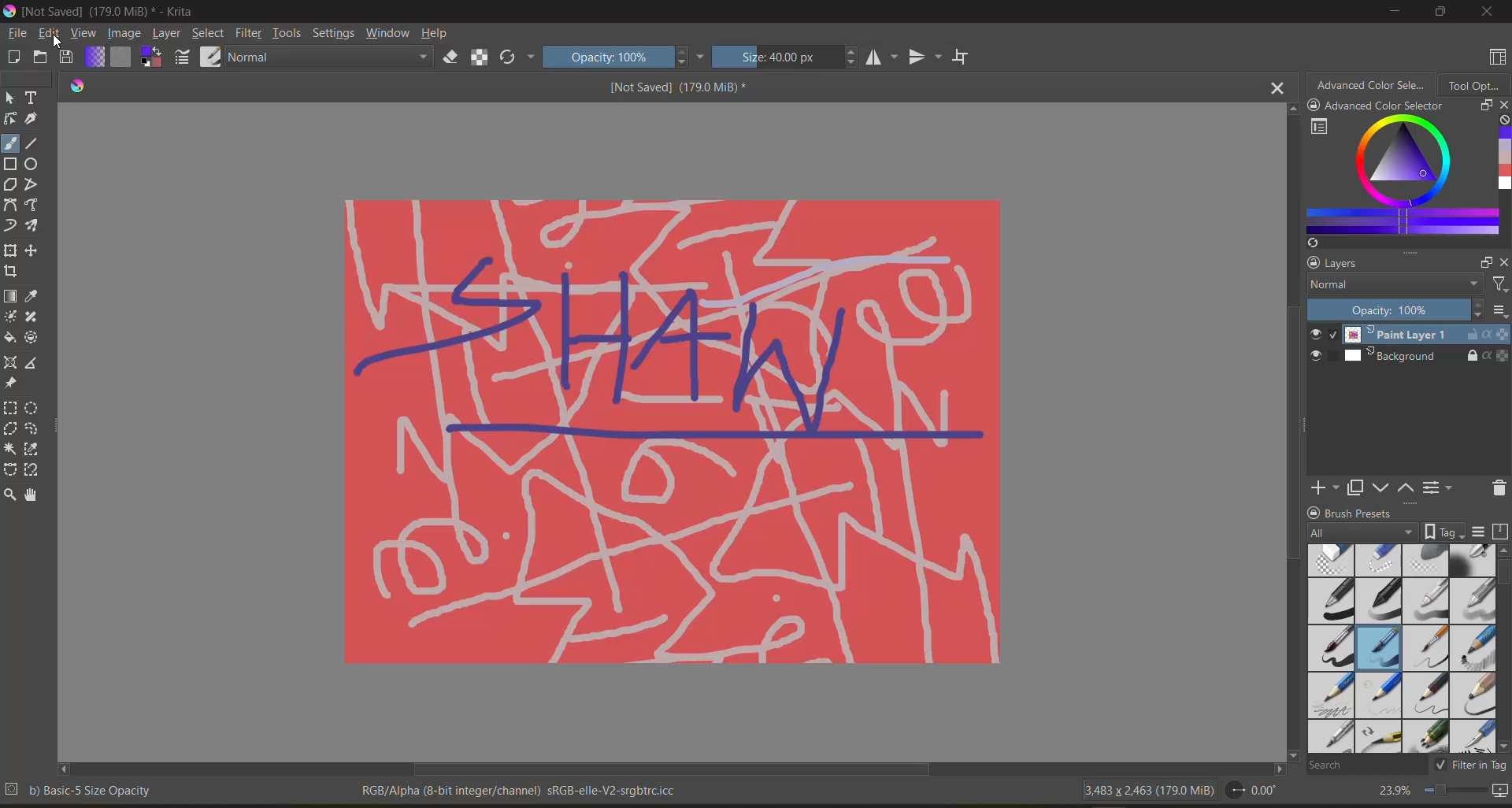 The height and width of the screenshot is (808, 1512). I want to click on b) Basic-5 Size Opacity, so click(83, 791).